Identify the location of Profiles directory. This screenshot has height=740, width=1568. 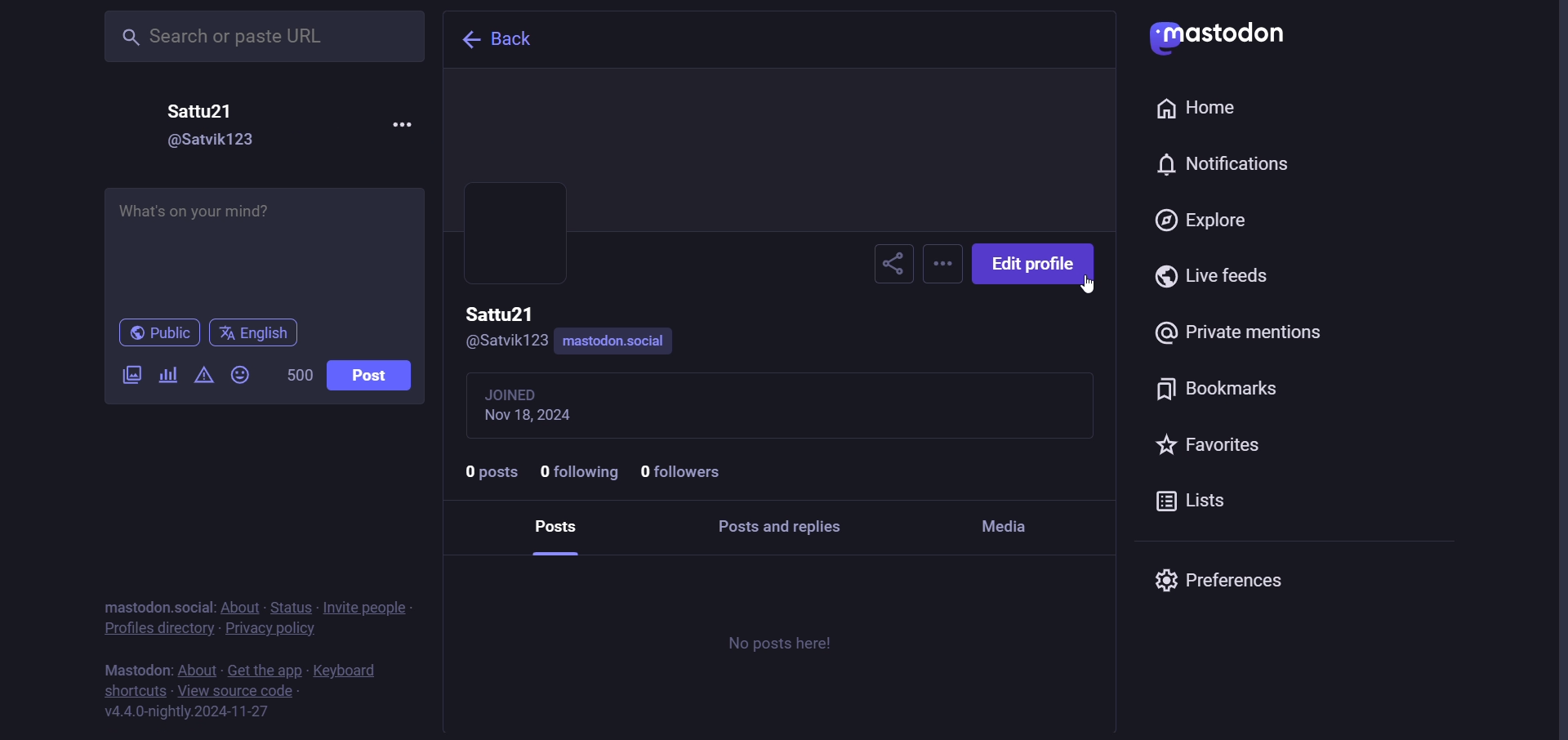
(156, 629).